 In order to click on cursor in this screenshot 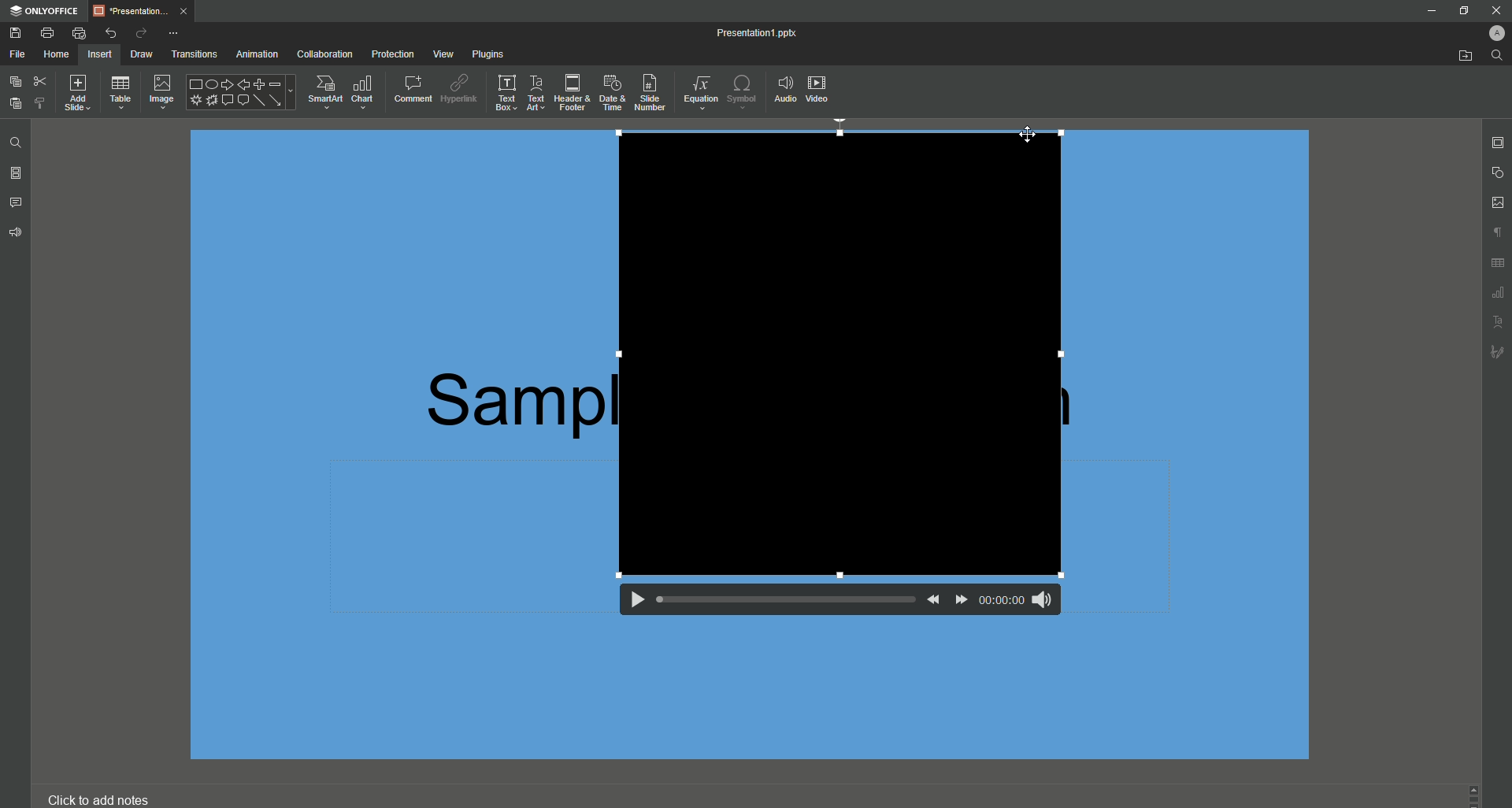, I will do `click(1030, 133)`.